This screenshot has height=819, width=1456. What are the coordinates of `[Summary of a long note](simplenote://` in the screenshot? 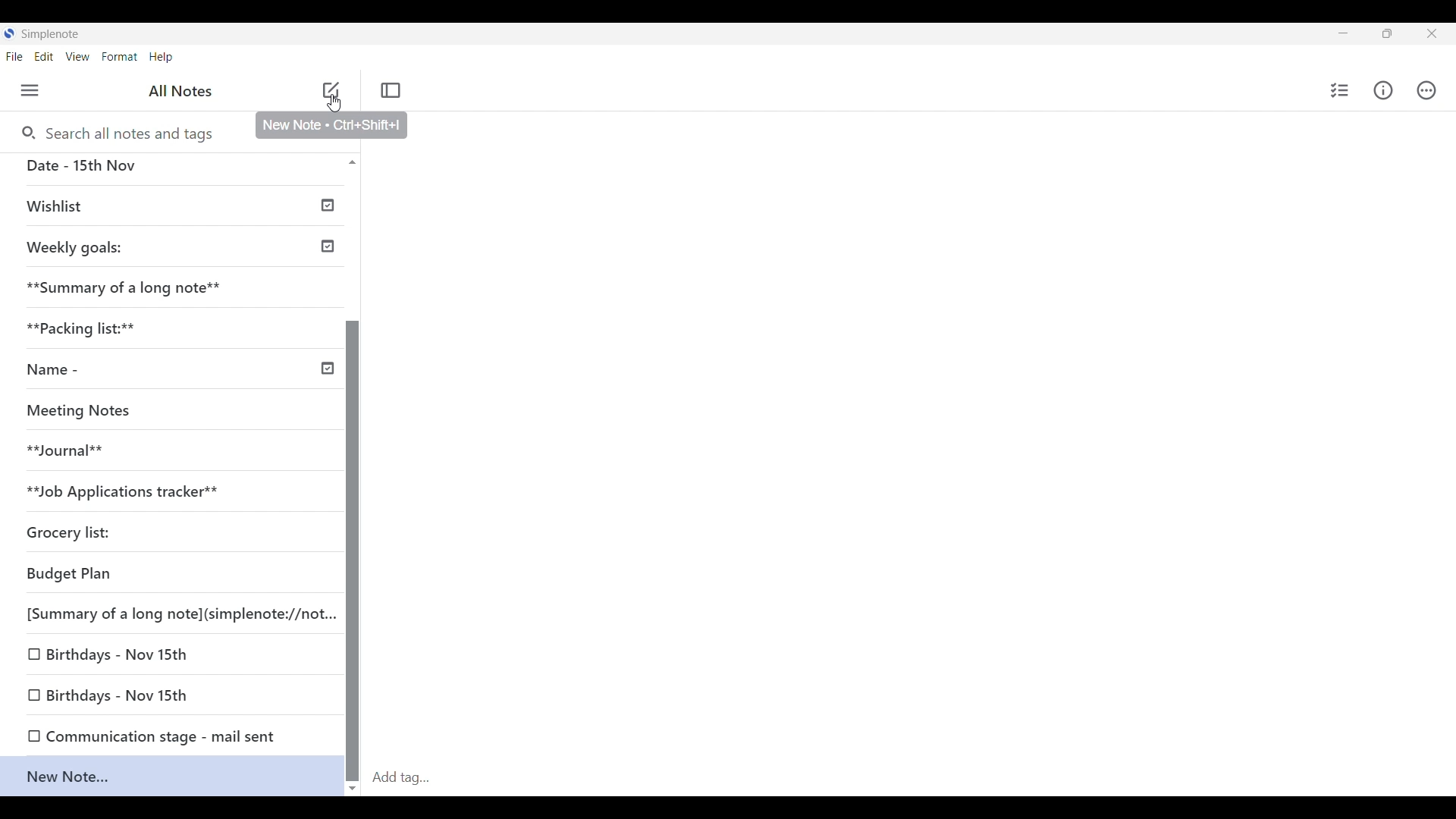 It's located at (181, 614).